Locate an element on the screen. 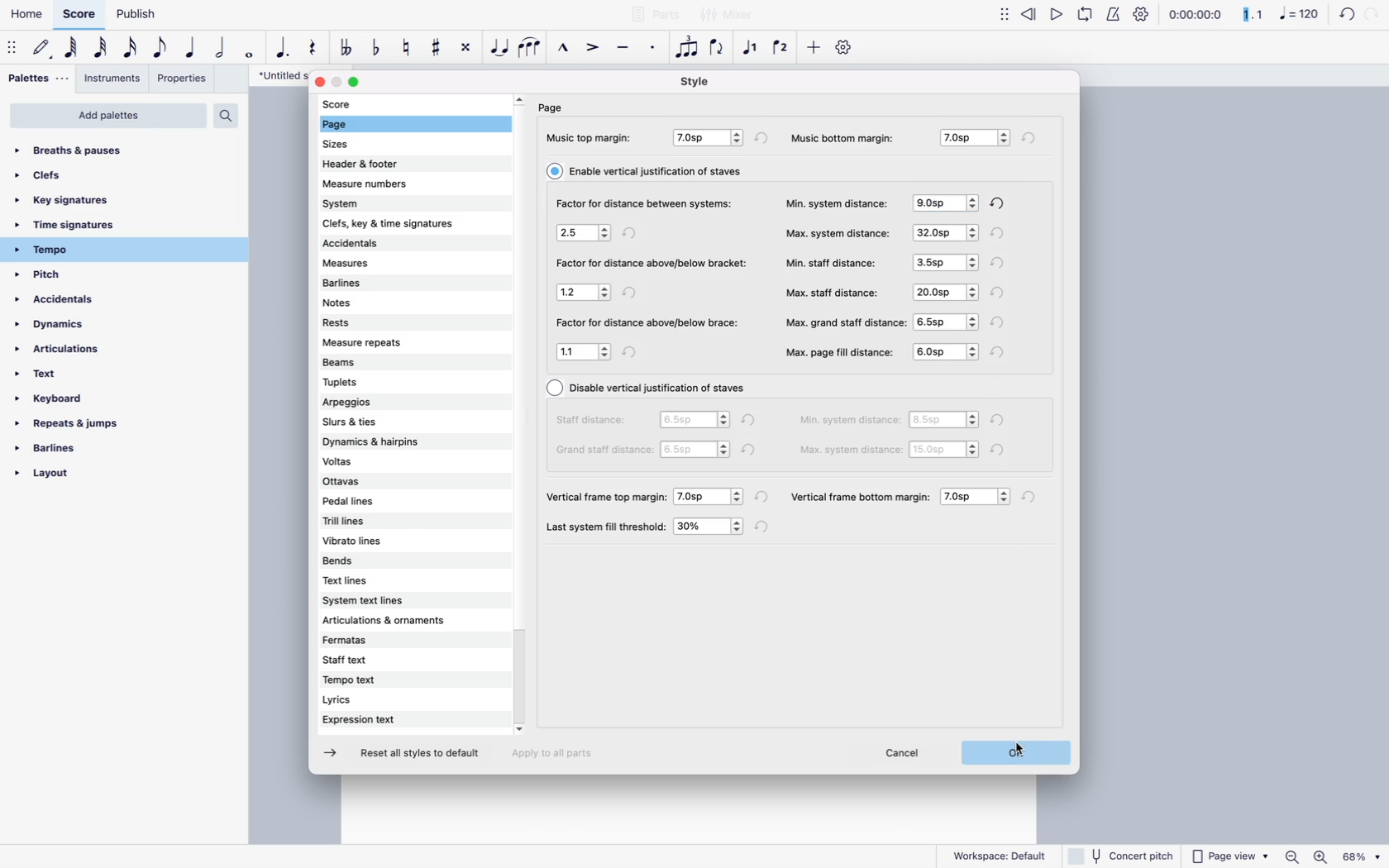 The image size is (1389, 868). max system distance is located at coordinates (838, 231).